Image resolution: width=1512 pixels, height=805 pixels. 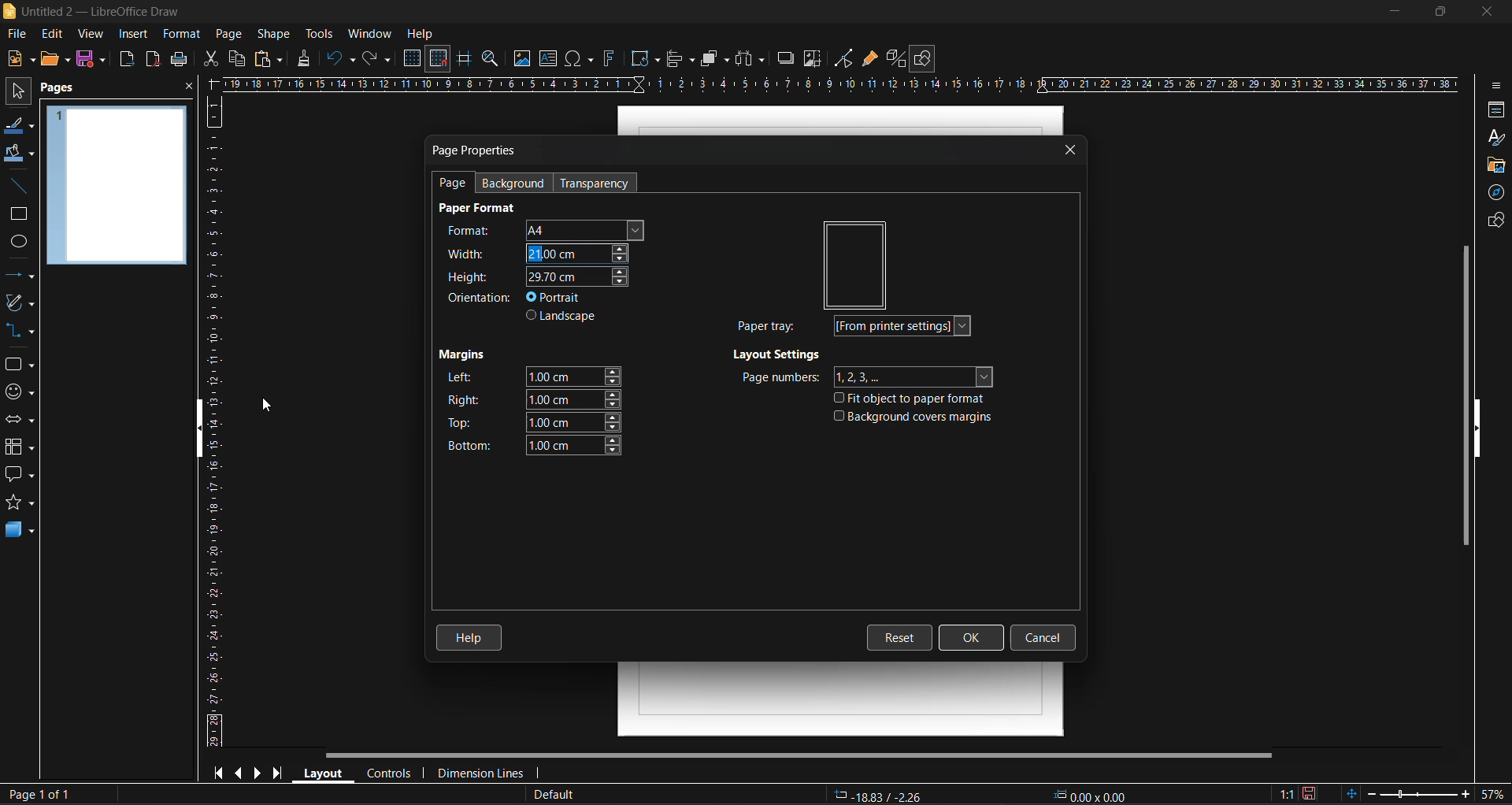 What do you see at coordinates (187, 88) in the screenshot?
I see `close` at bounding box center [187, 88].